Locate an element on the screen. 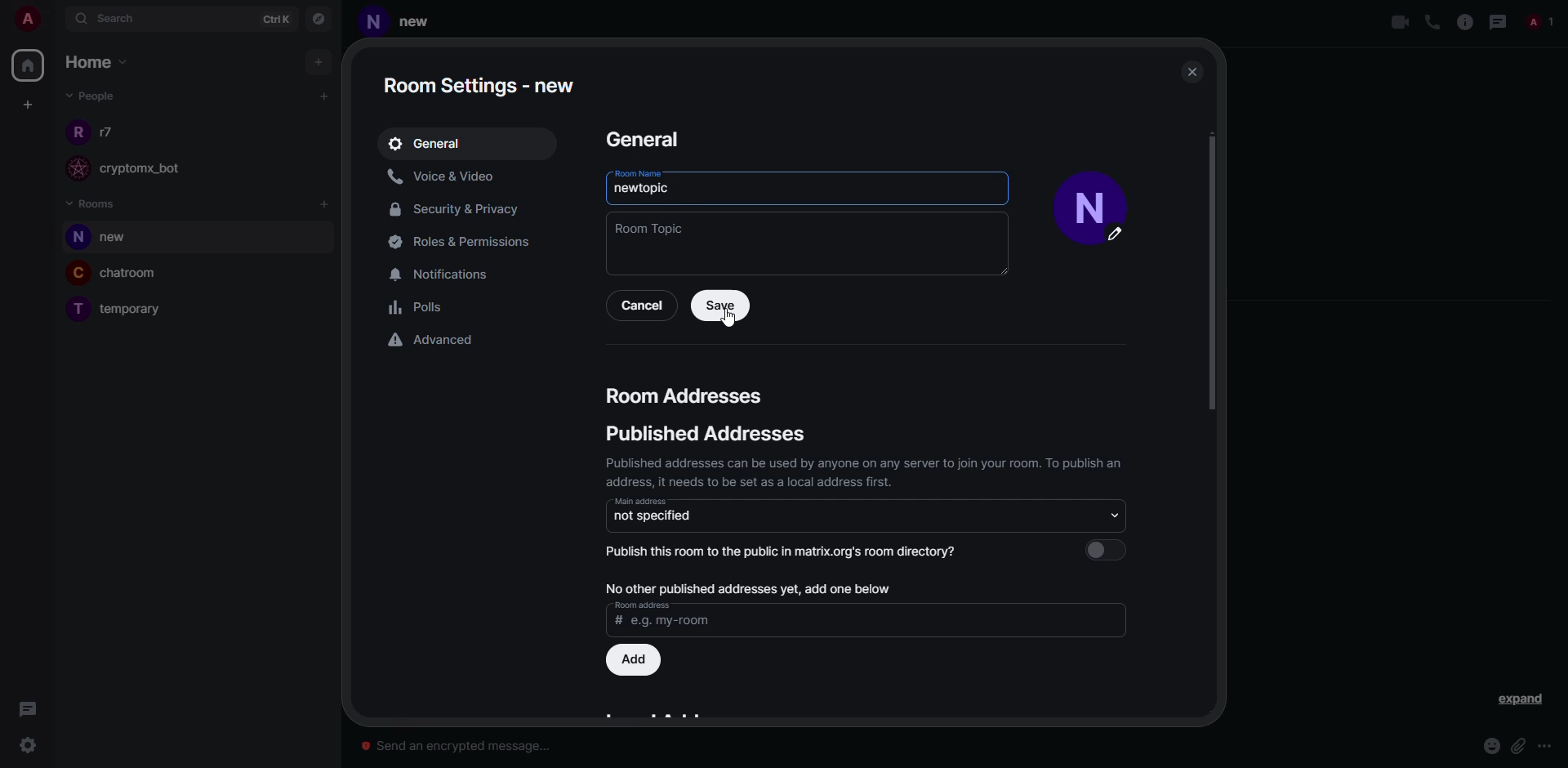 The image size is (1568, 768). send encrypted message is located at coordinates (459, 742).